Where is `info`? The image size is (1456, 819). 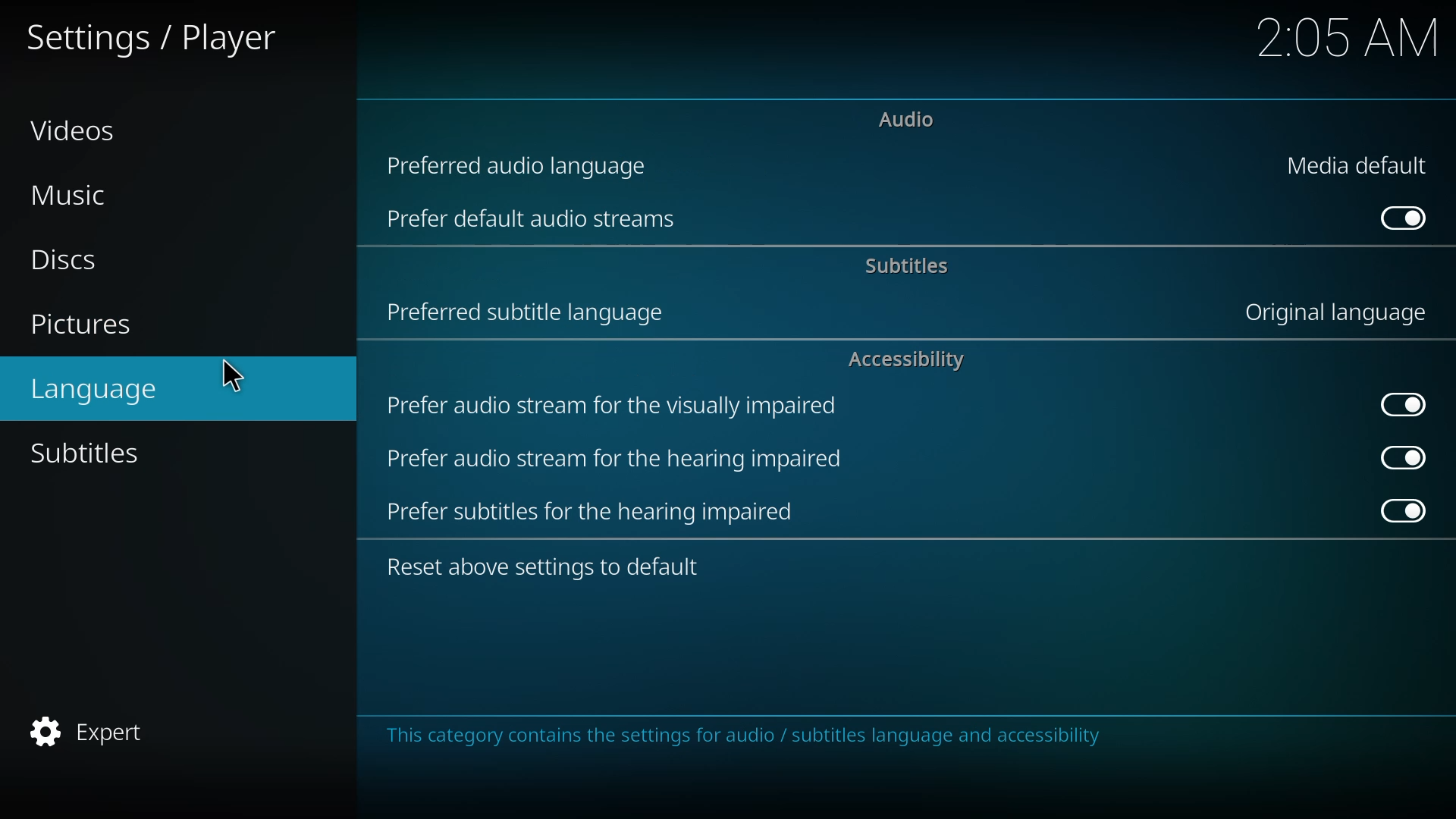 info is located at coordinates (752, 736).